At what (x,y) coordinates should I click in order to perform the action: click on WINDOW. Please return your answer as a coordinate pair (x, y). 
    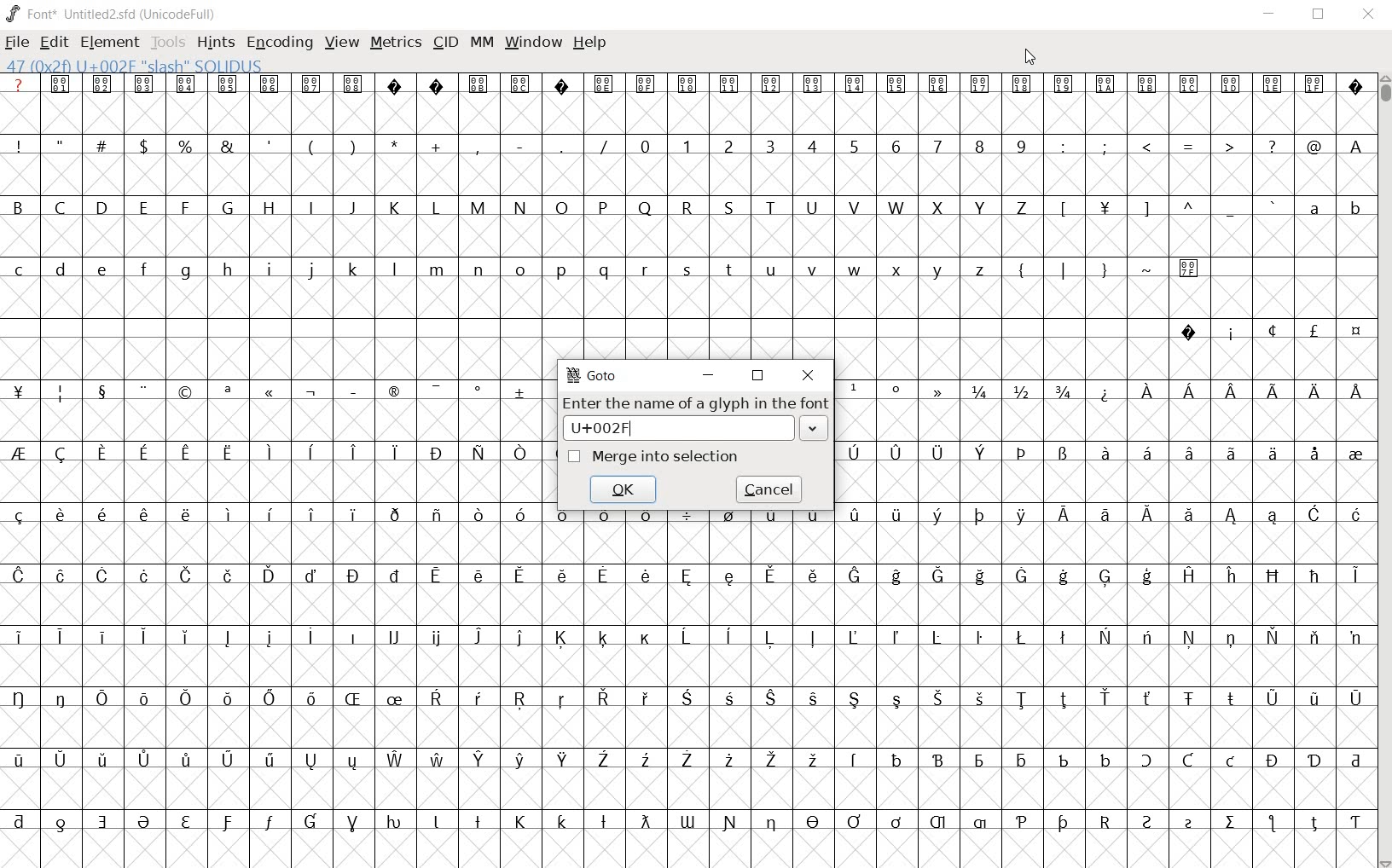
    Looking at the image, I should click on (531, 43).